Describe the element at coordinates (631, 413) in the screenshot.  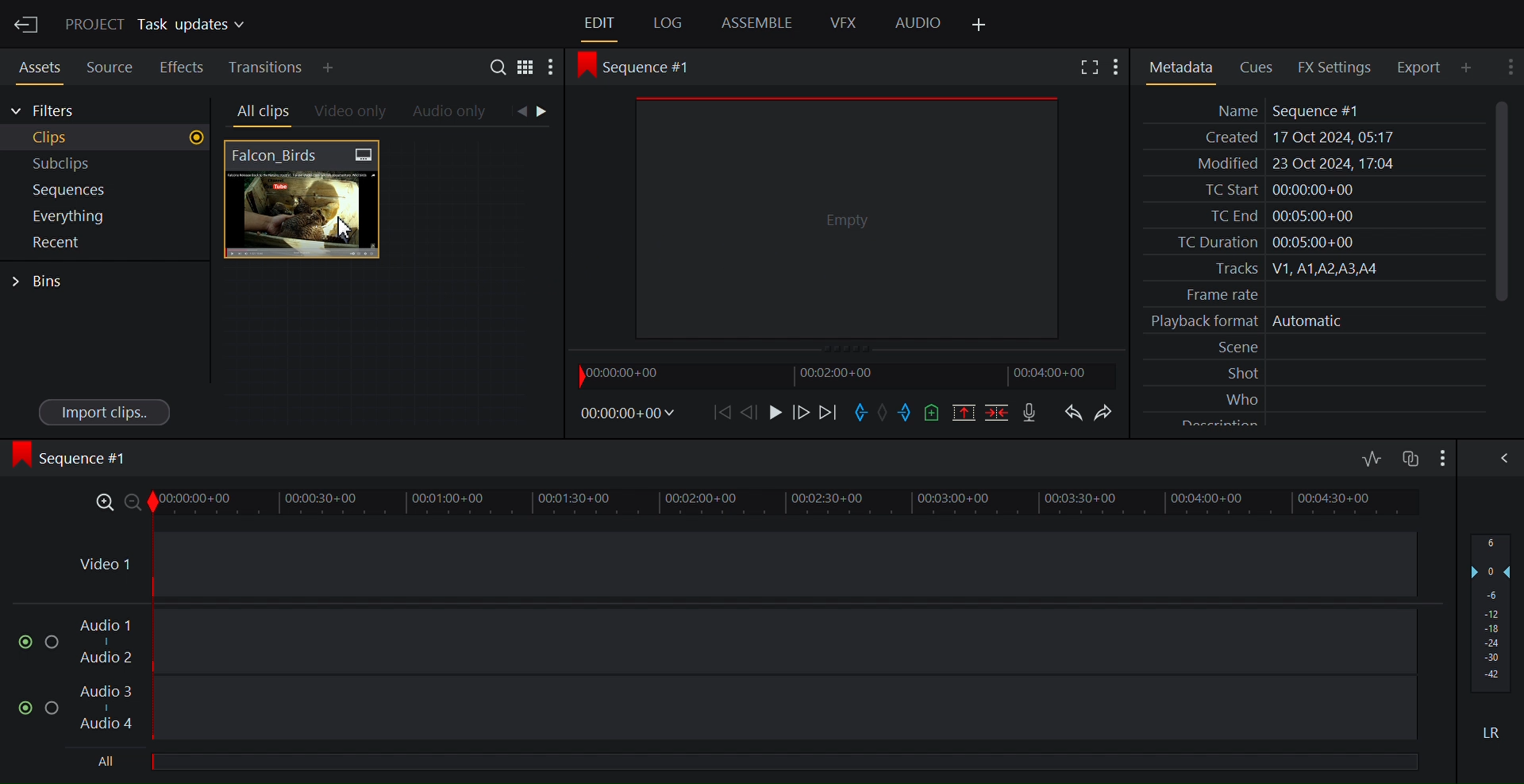
I see `Timecodes and reels` at that location.